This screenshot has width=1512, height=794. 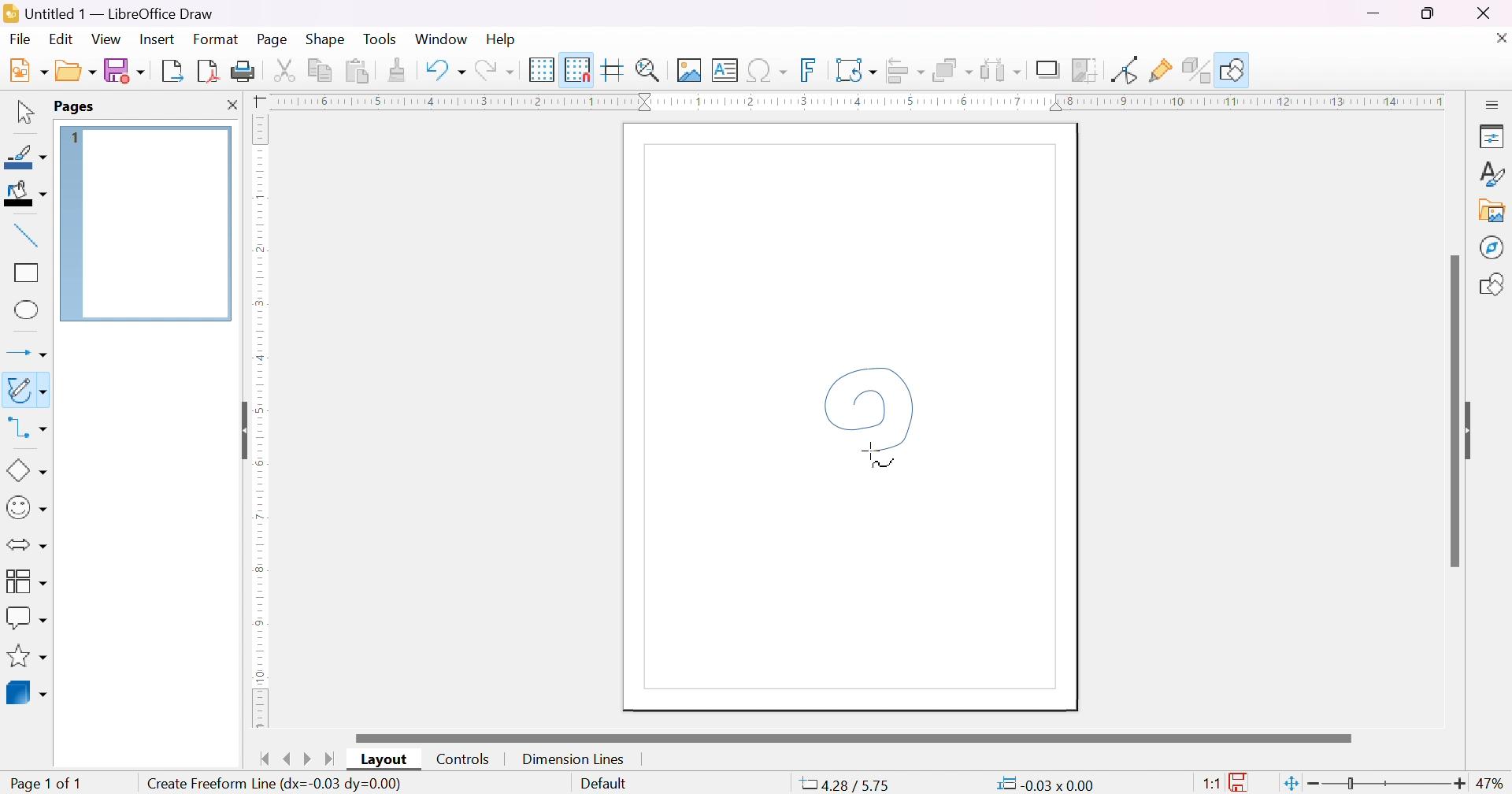 I want to click on the documents has not been modified since the last file., so click(x=1241, y=784).